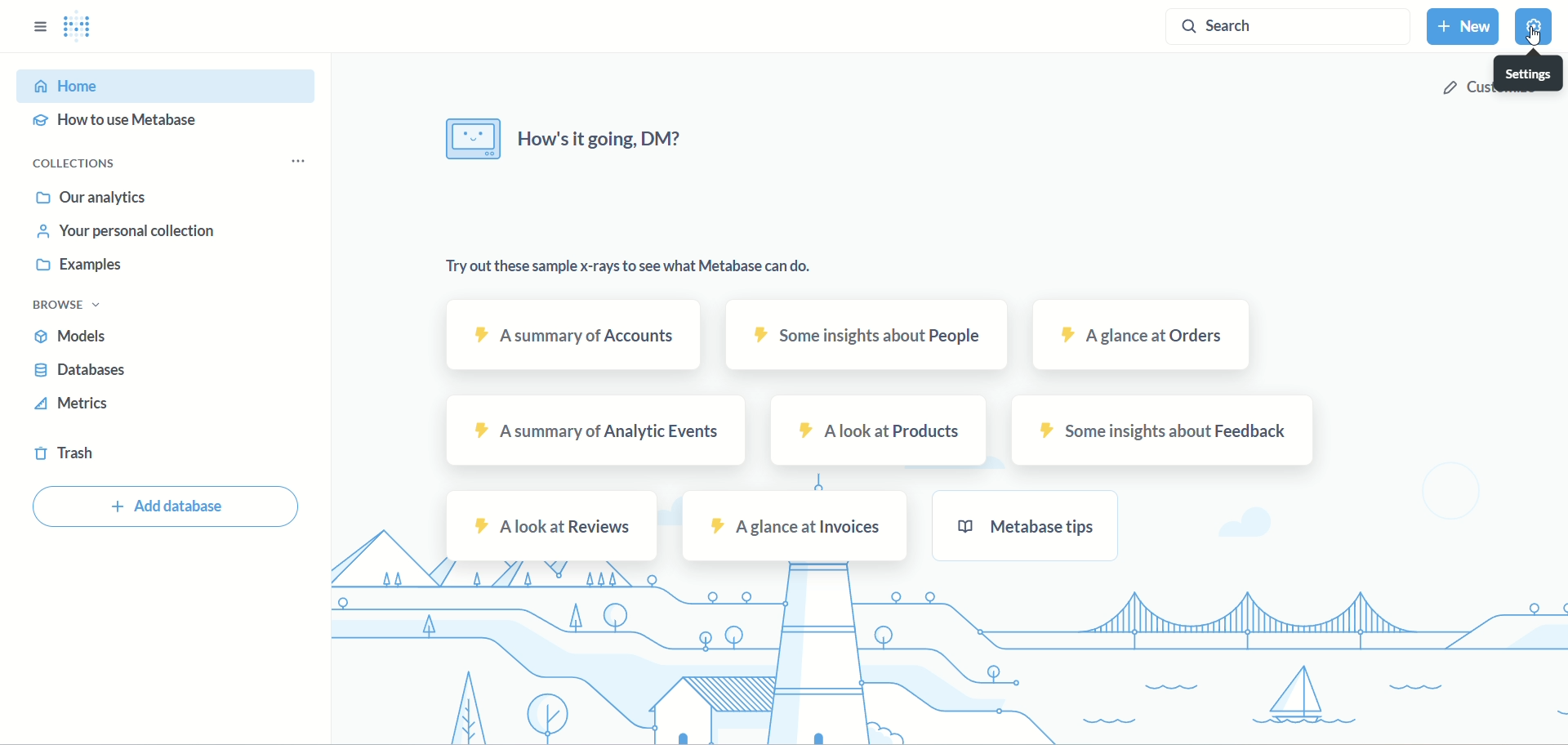  I want to click on reviews, so click(553, 527).